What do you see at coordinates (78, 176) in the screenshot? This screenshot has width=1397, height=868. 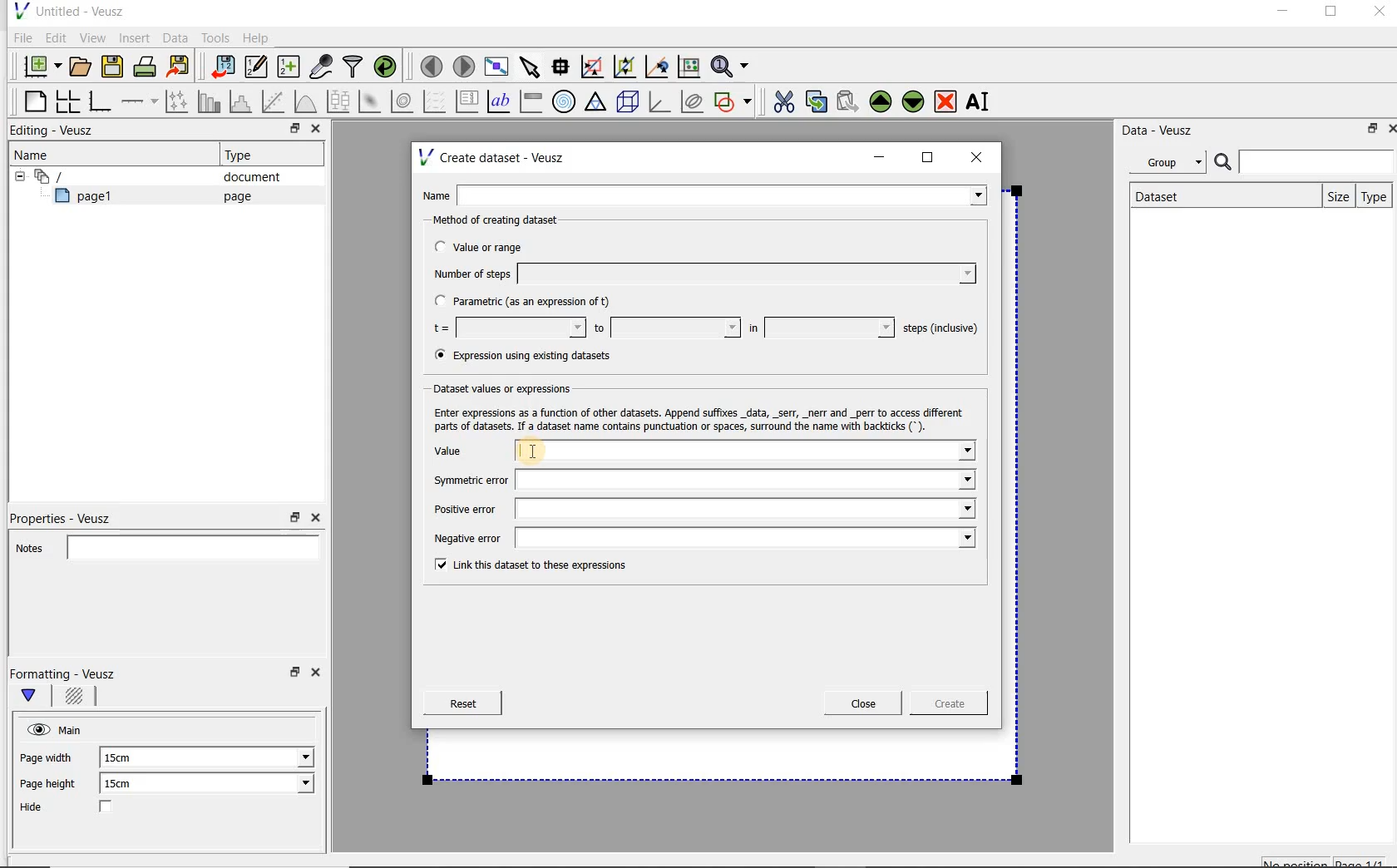 I see `Document widget` at bounding box center [78, 176].